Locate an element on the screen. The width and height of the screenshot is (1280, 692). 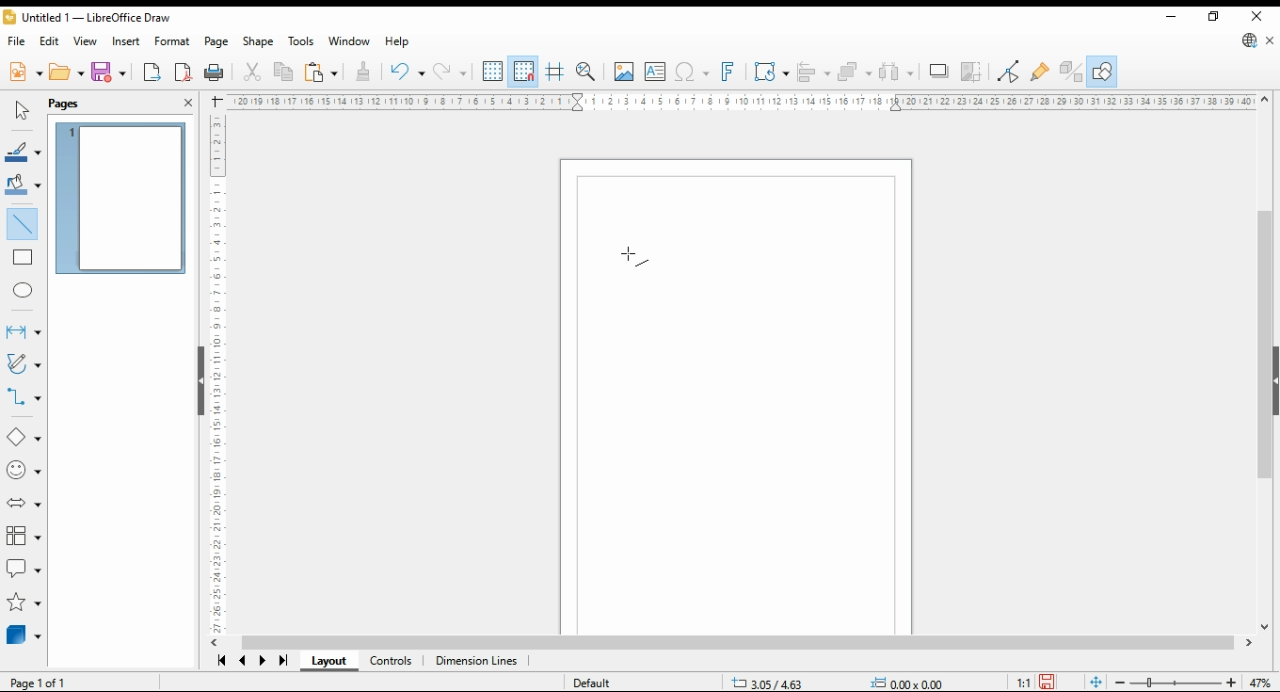
snap to grid is located at coordinates (523, 71).